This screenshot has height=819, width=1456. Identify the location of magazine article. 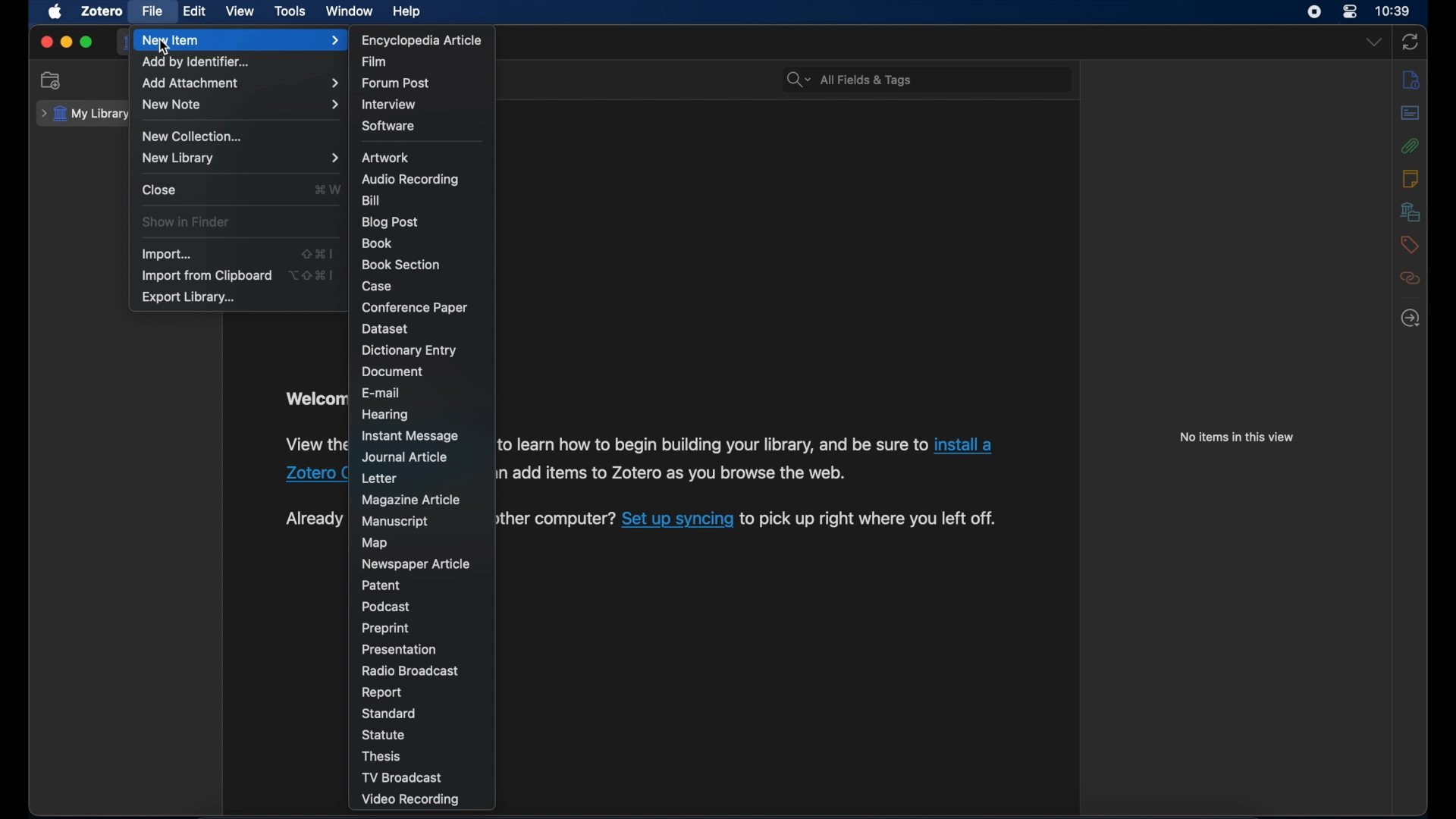
(413, 500).